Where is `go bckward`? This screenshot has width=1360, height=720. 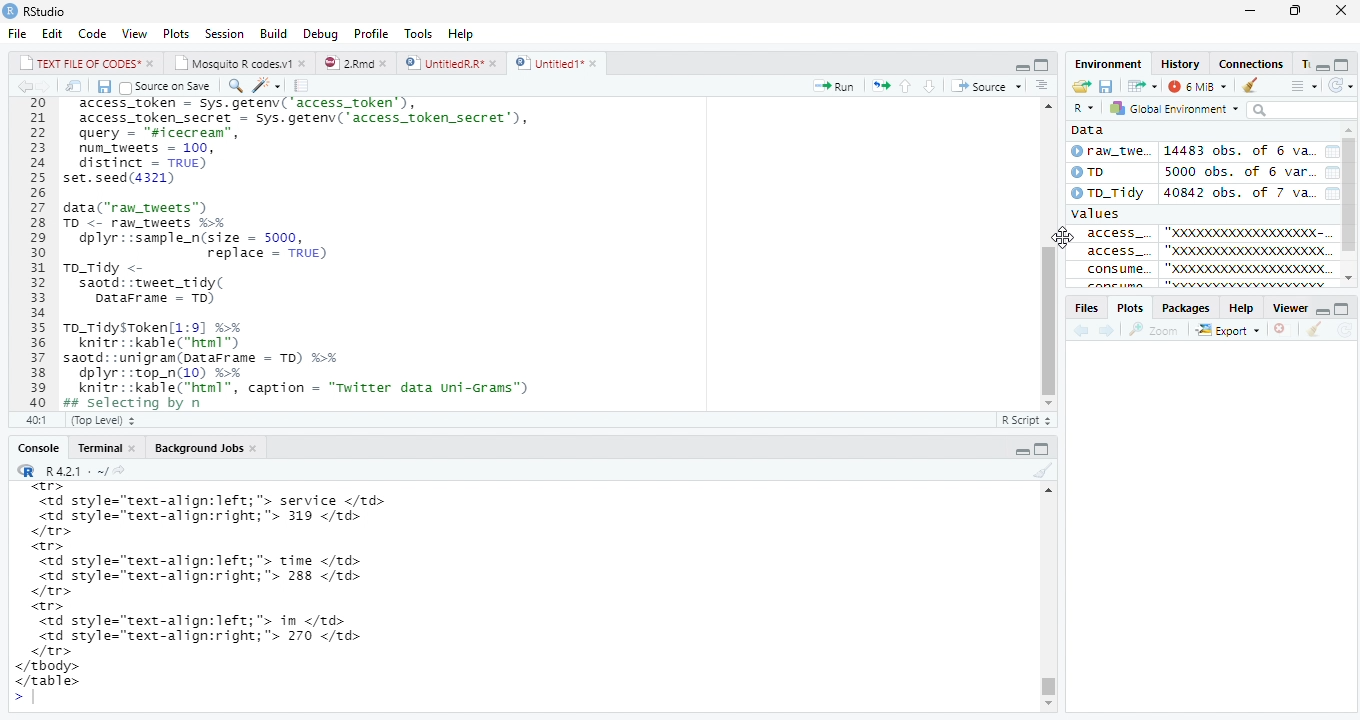
go bckward is located at coordinates (32, 85).